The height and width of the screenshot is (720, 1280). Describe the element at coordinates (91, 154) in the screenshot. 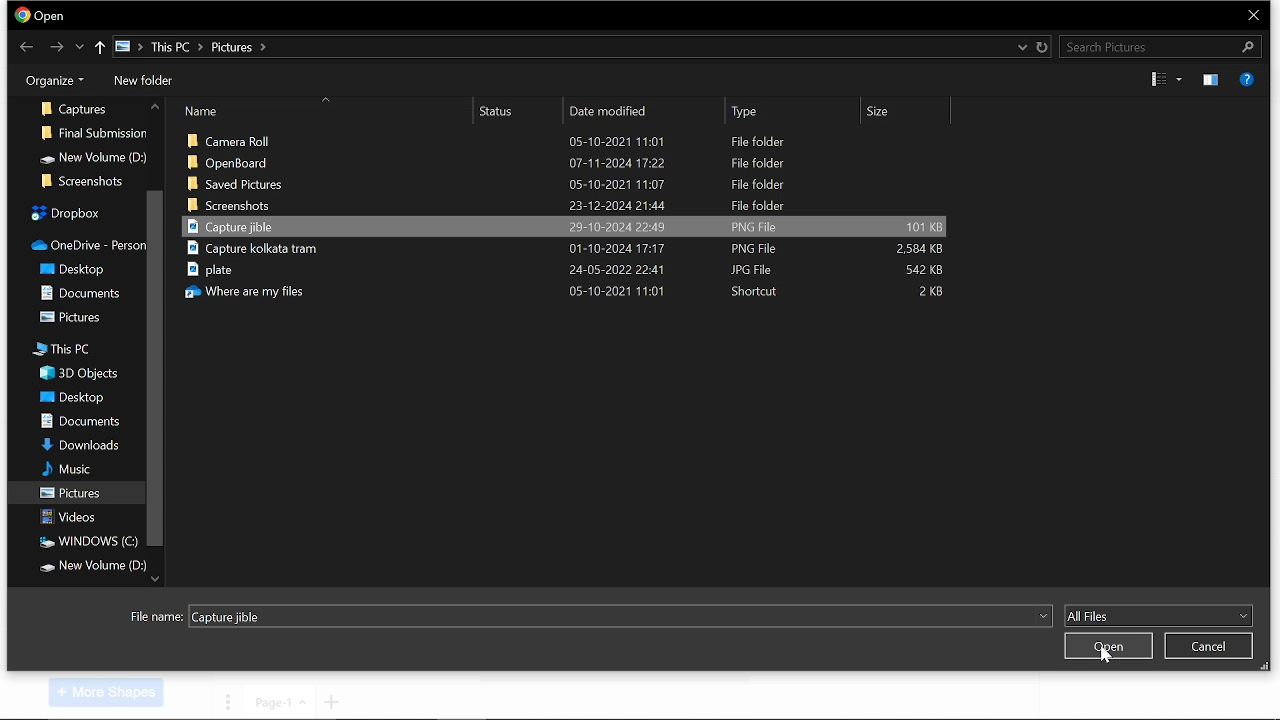

I see `folders` at that location.